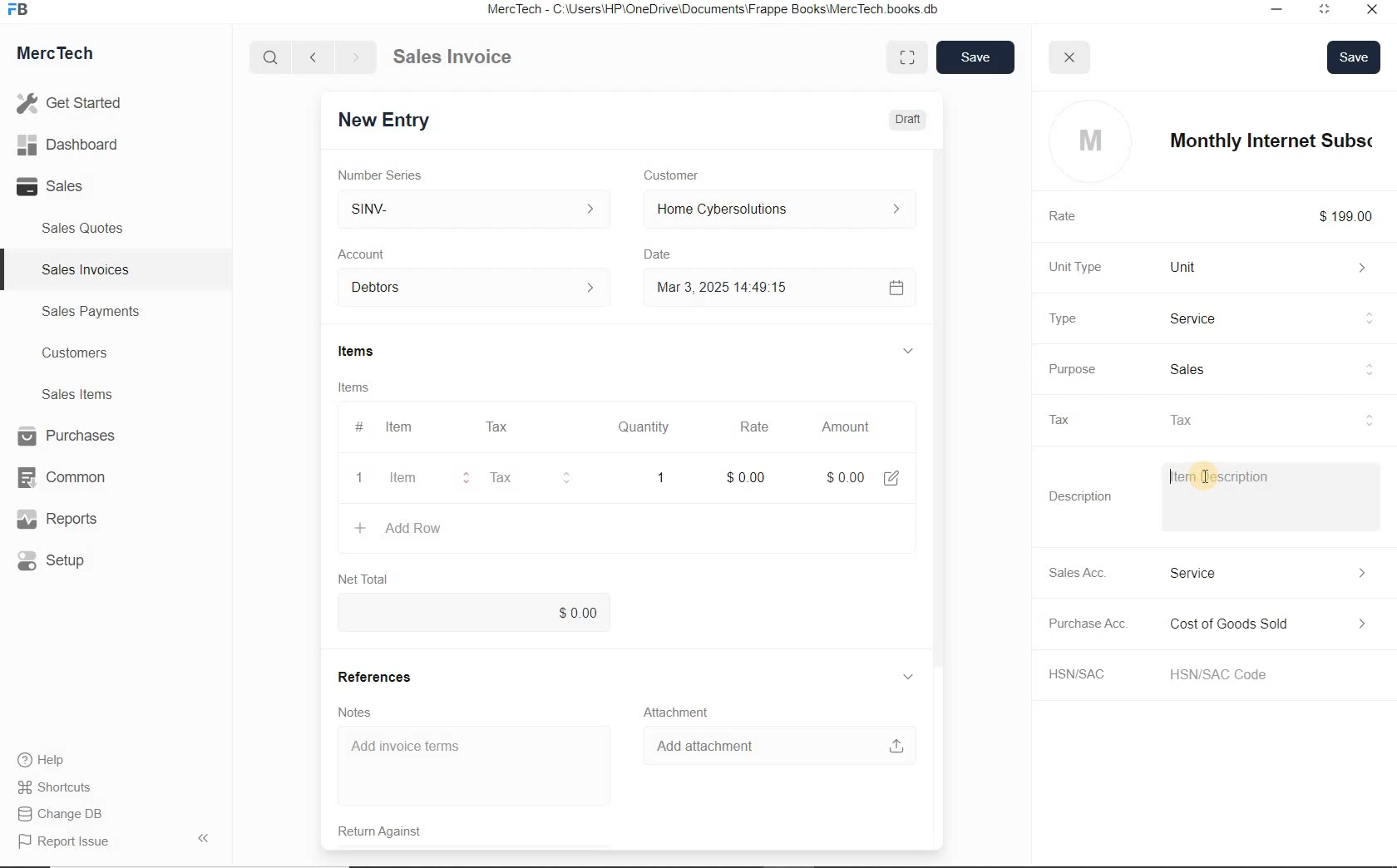 The image size is (1397, 868). What do you see at coordinates (1261, 12) in the screenshot?
I see `Minimize` at bounding box center [1261, 12].